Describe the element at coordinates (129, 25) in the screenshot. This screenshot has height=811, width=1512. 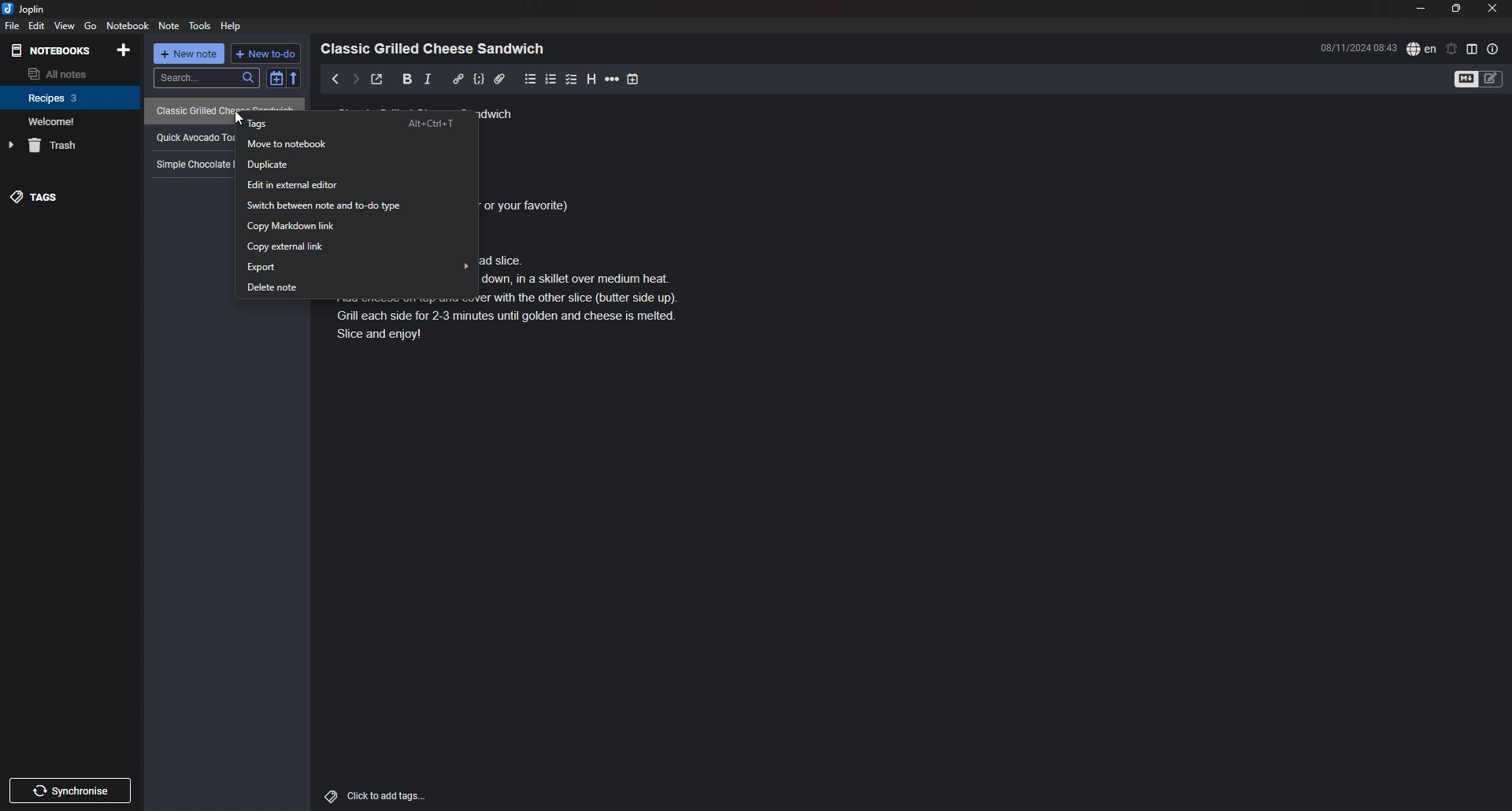
I see `notebook` at that location.